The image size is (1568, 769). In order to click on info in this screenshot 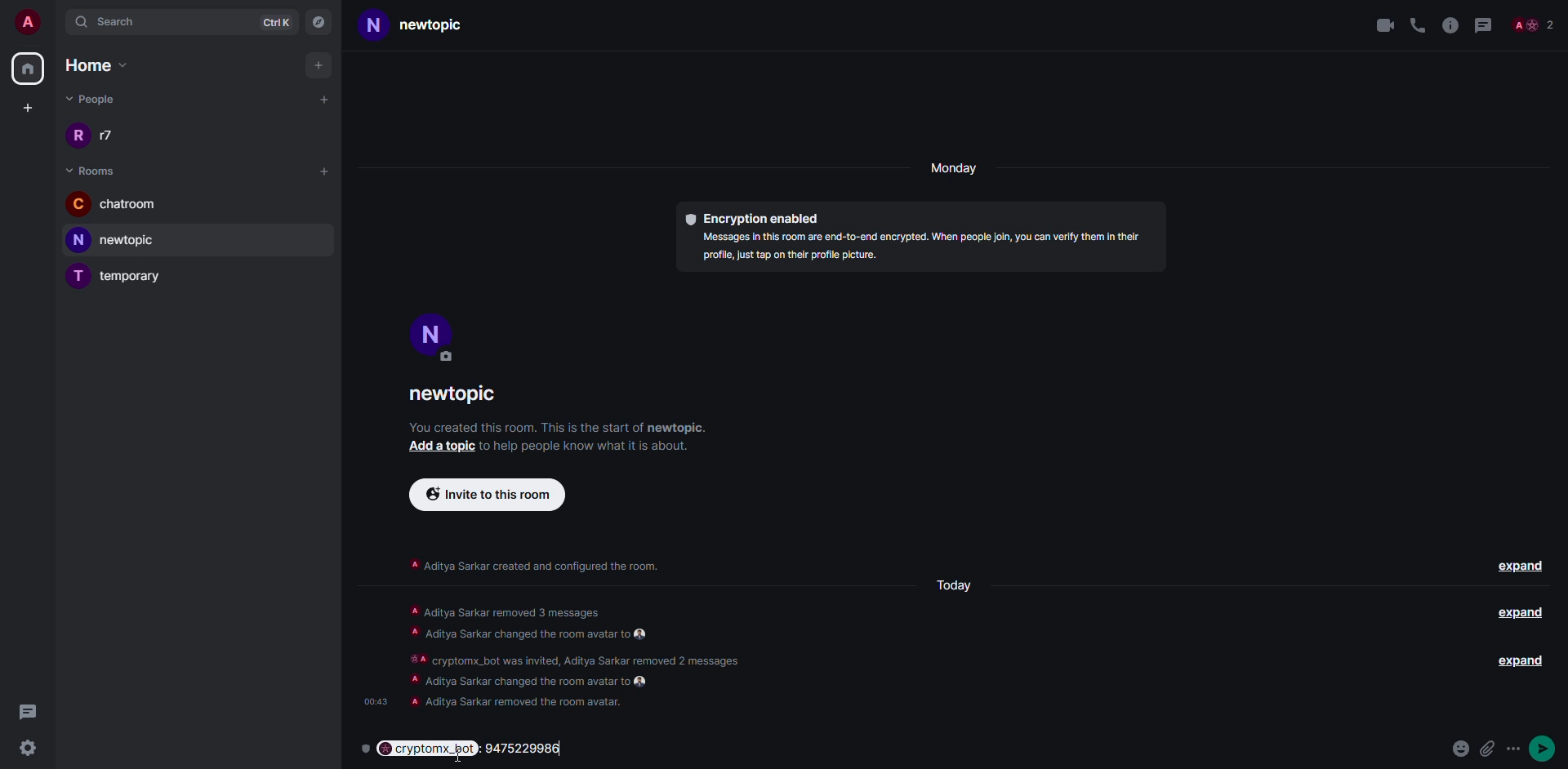, I will do `click(1450, 23)`.